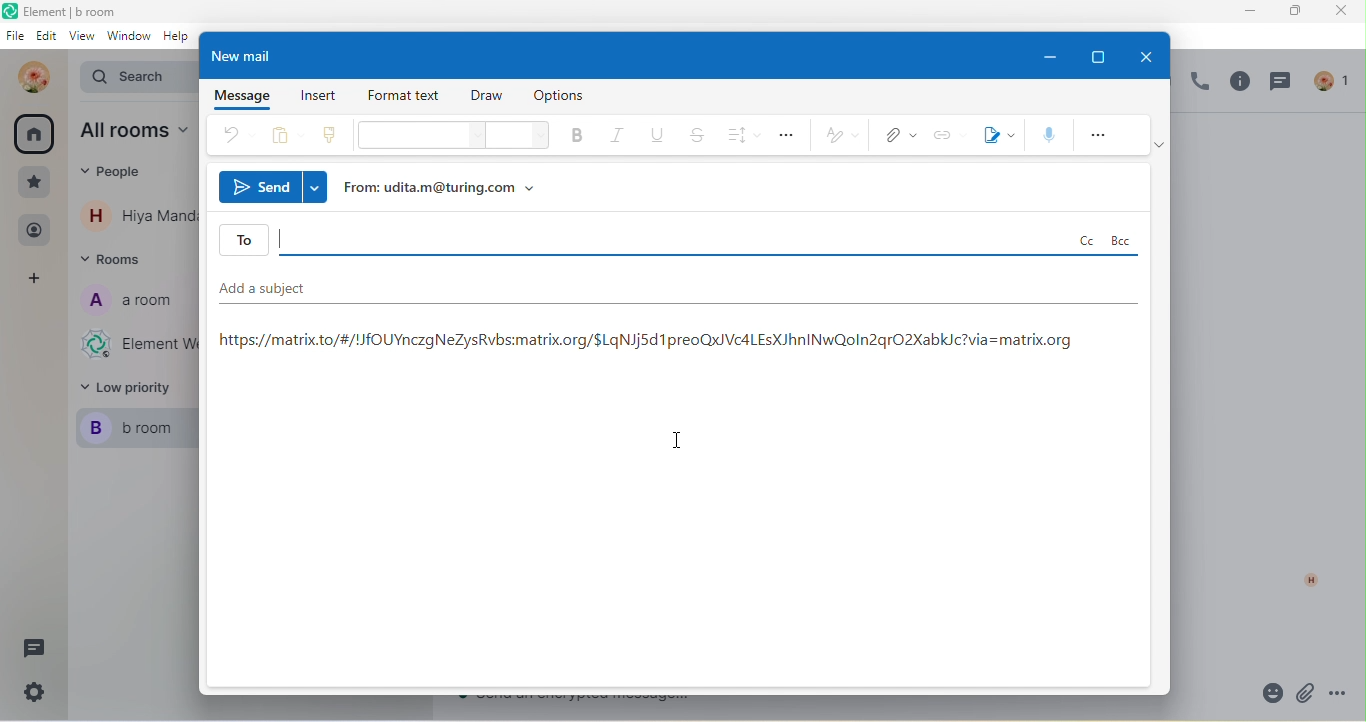  What do you see at coordinates (130, 305) in the screenshot?
I see `a room` at bounding box center [130, 305].